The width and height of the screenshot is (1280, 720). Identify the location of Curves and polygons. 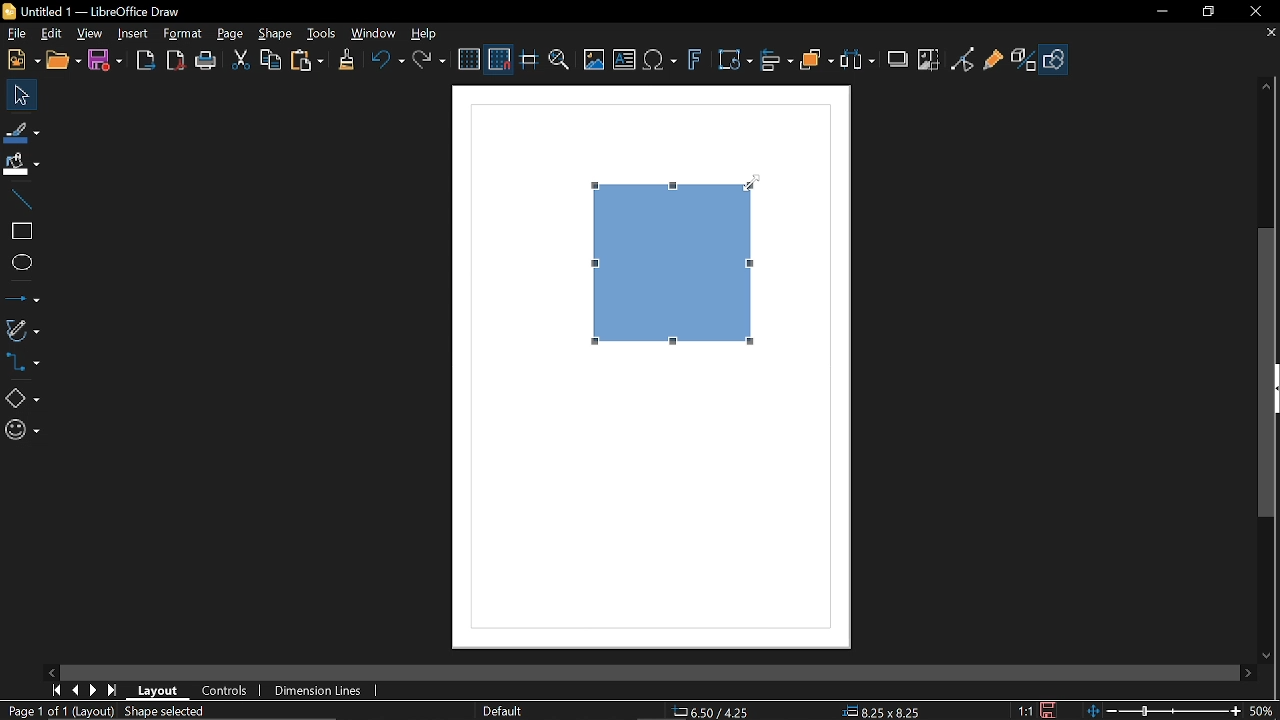
(22, 330).